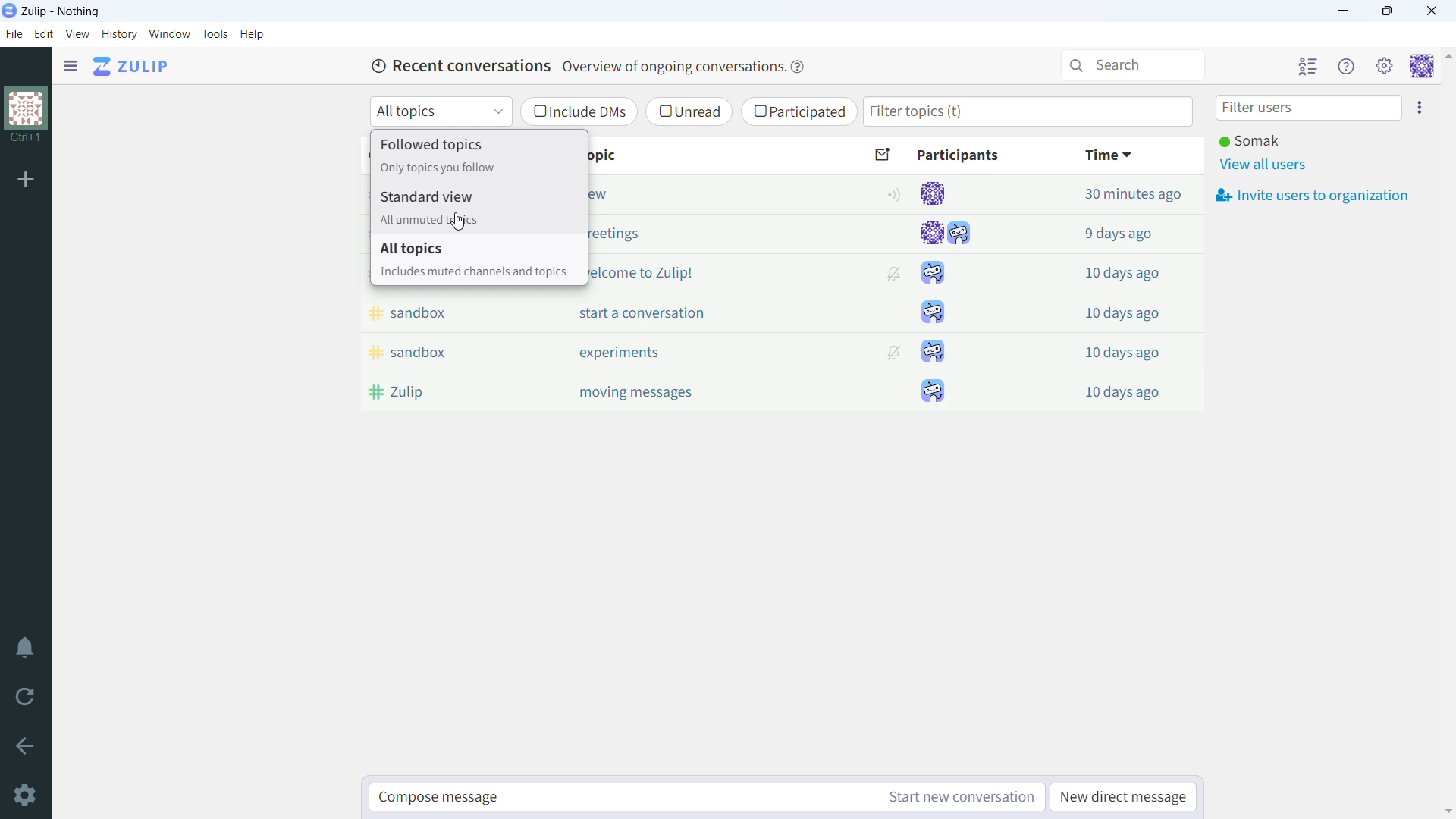 The image size is (1456, 819). Describe the element at coordinates (707, 234) in the screenshot. I see `greetings` at that location.